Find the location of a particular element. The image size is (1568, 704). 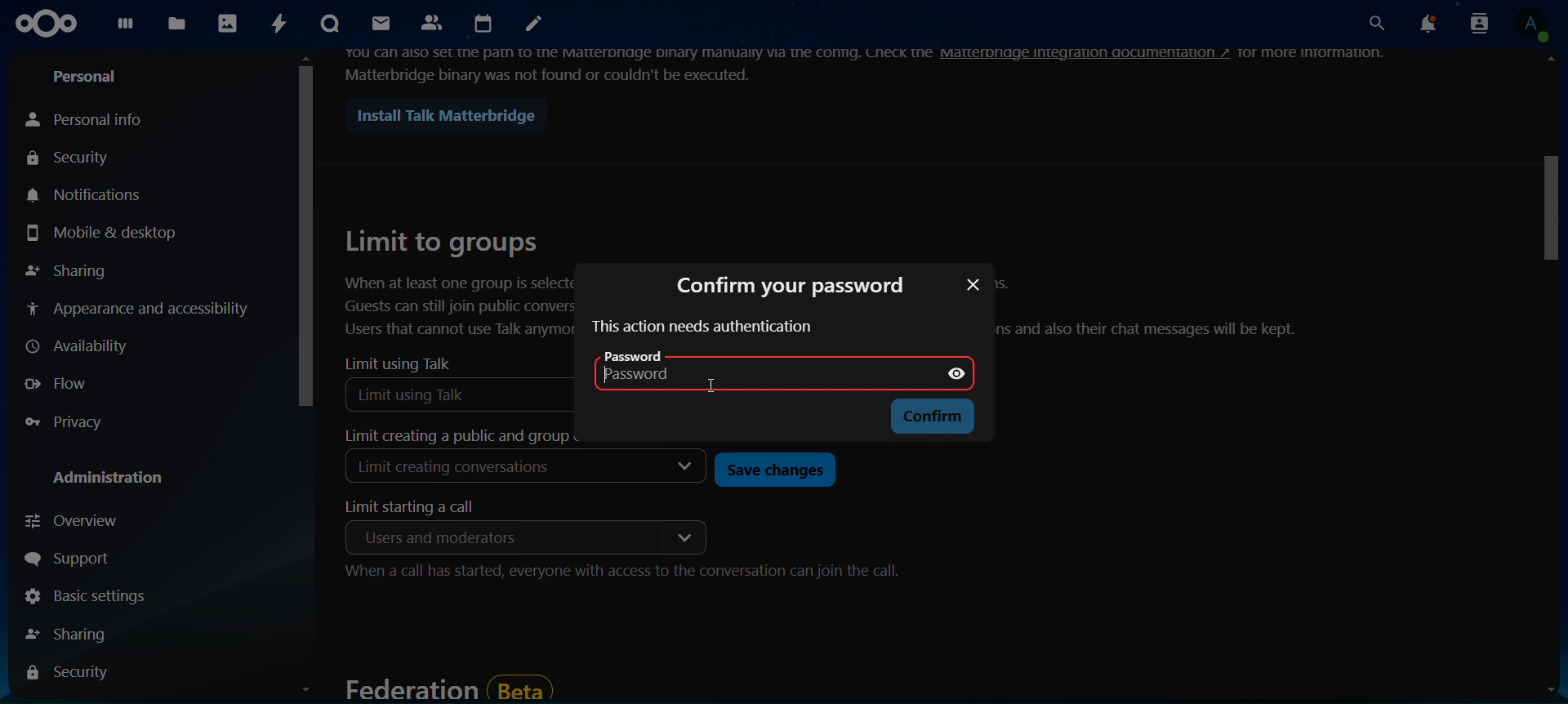

password is located at coordinates (637, 355).